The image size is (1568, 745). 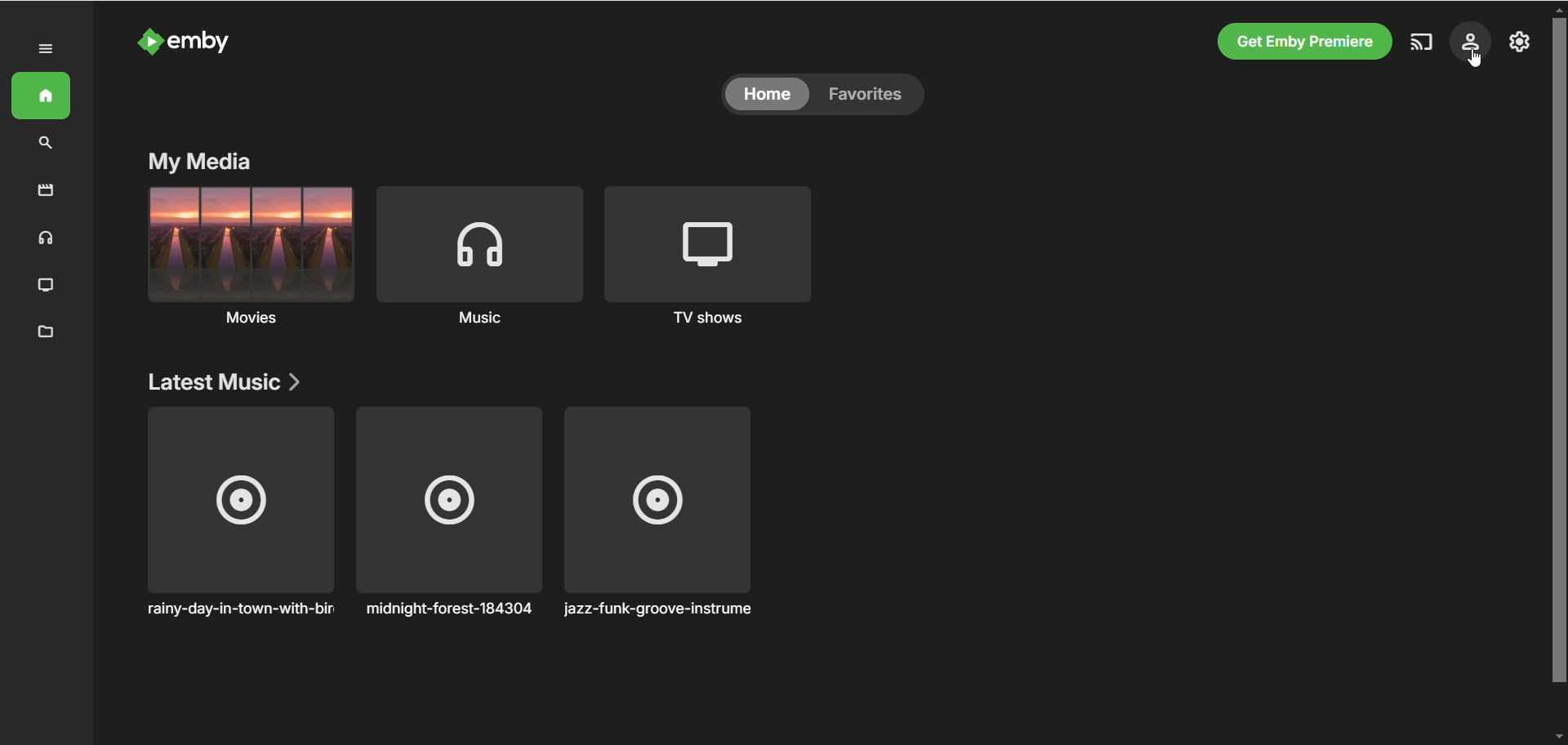 What do you see at coordinates (45, 49) in the screenshot?
I see `expand` at bounding box center [45, 49].